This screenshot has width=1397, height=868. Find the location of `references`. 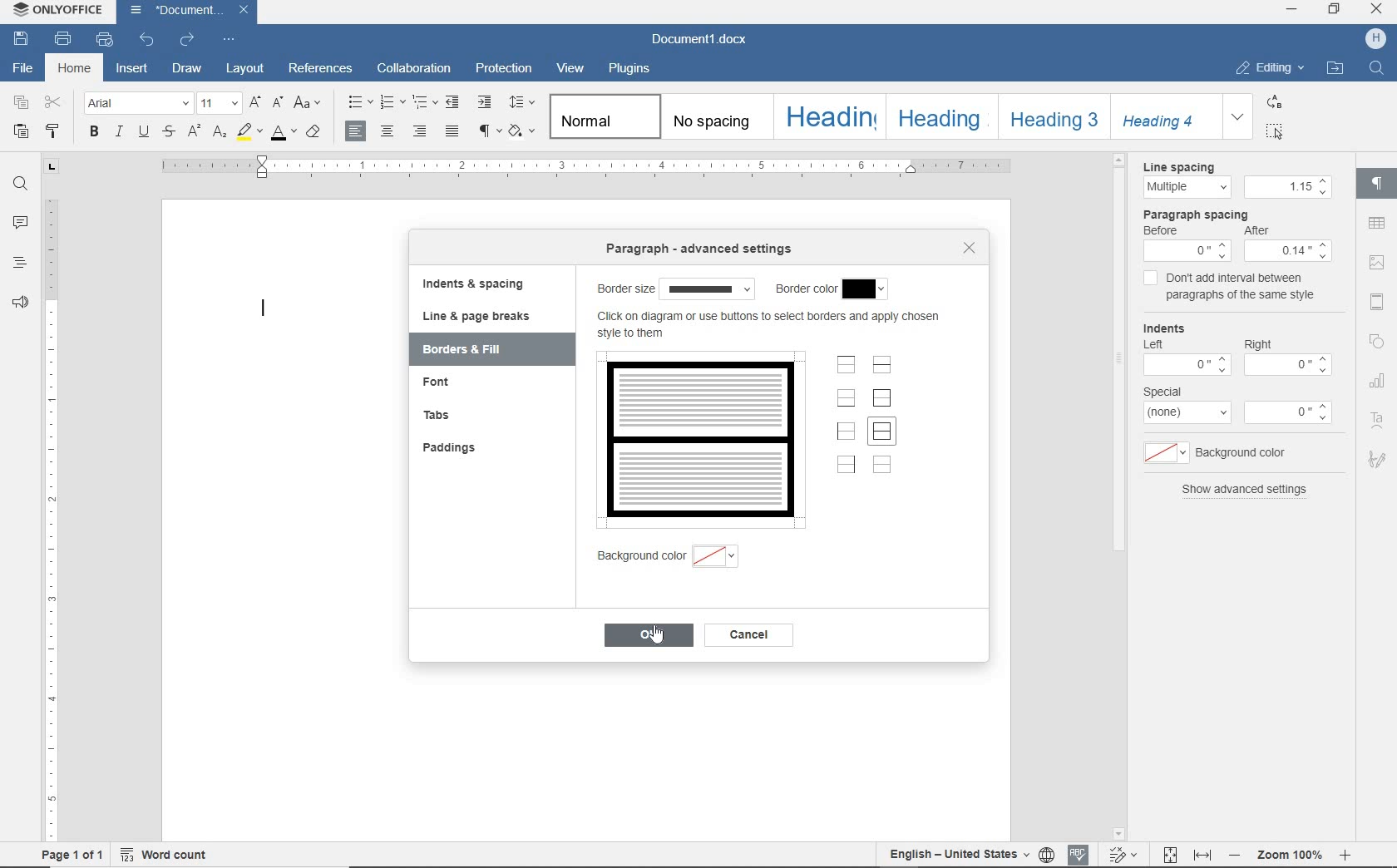

references is located at coordinates (321, 67).